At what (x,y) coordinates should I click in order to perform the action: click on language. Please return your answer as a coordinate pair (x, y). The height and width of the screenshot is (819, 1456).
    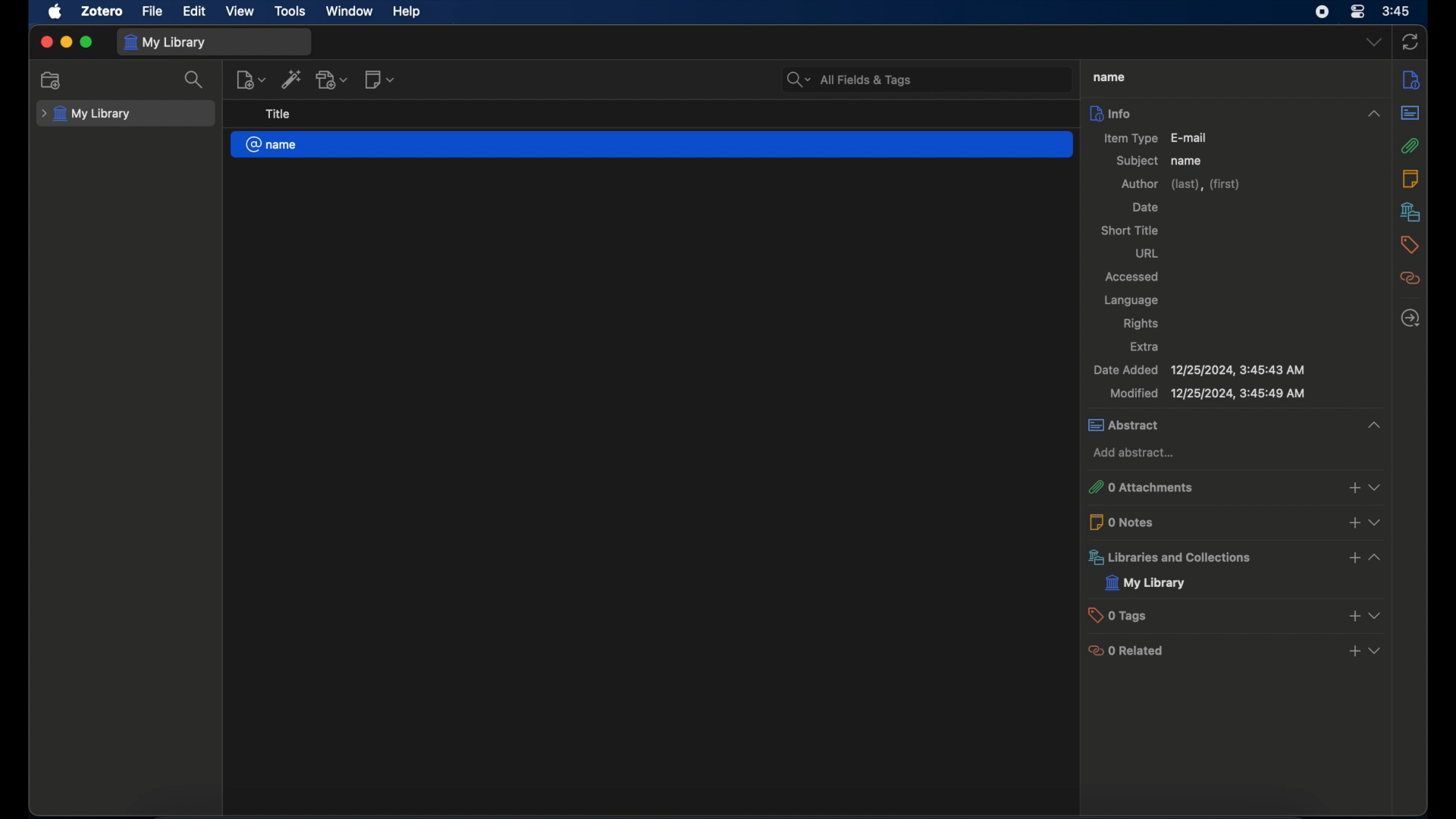
    Looking at the image, I should click on (1130, 300).